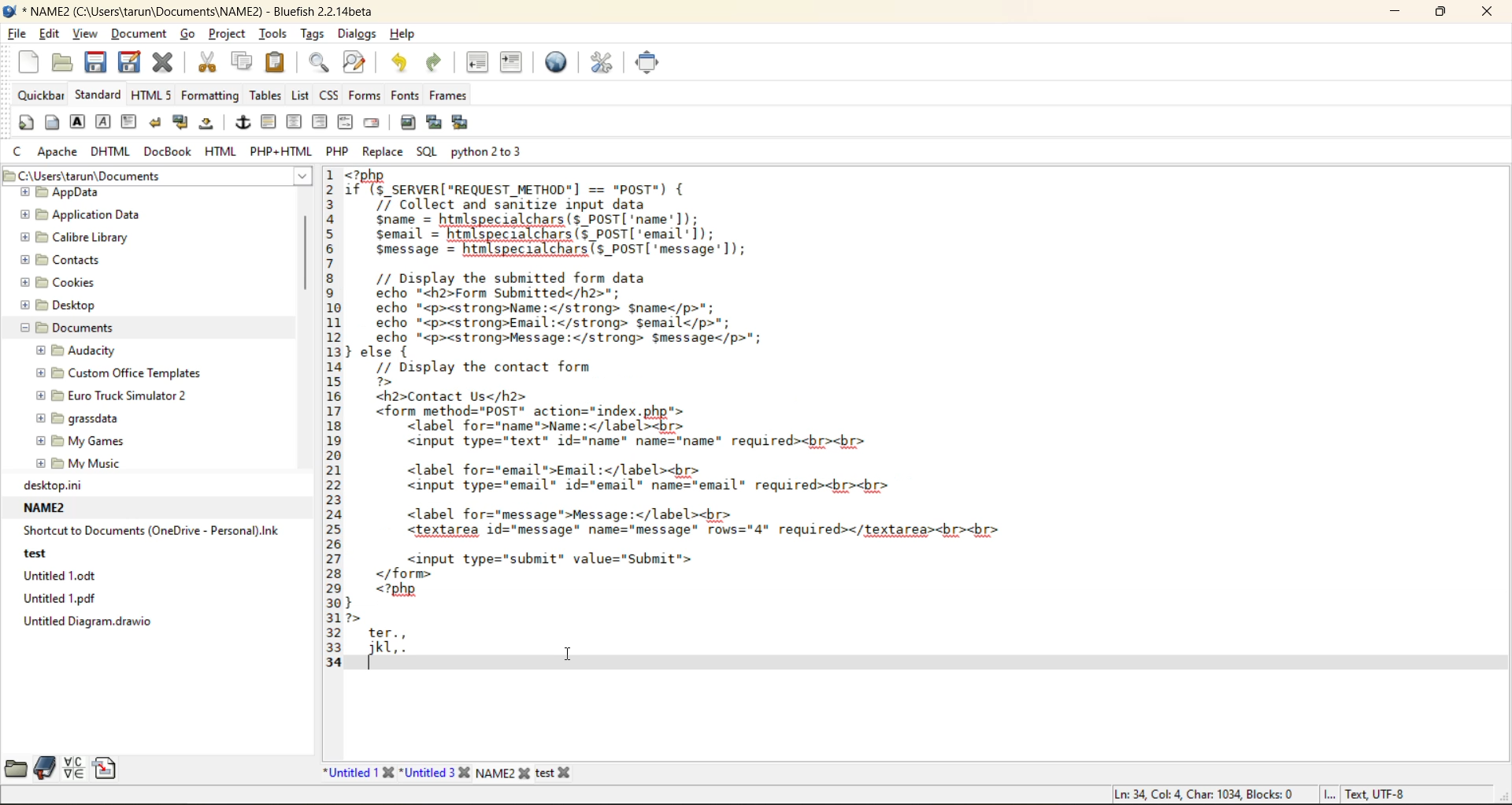 The width and height of the screenshot is (1512, 805). Describe the element at coordinates (17, 770) in the screenshot. I see `filebrowser` at that location.